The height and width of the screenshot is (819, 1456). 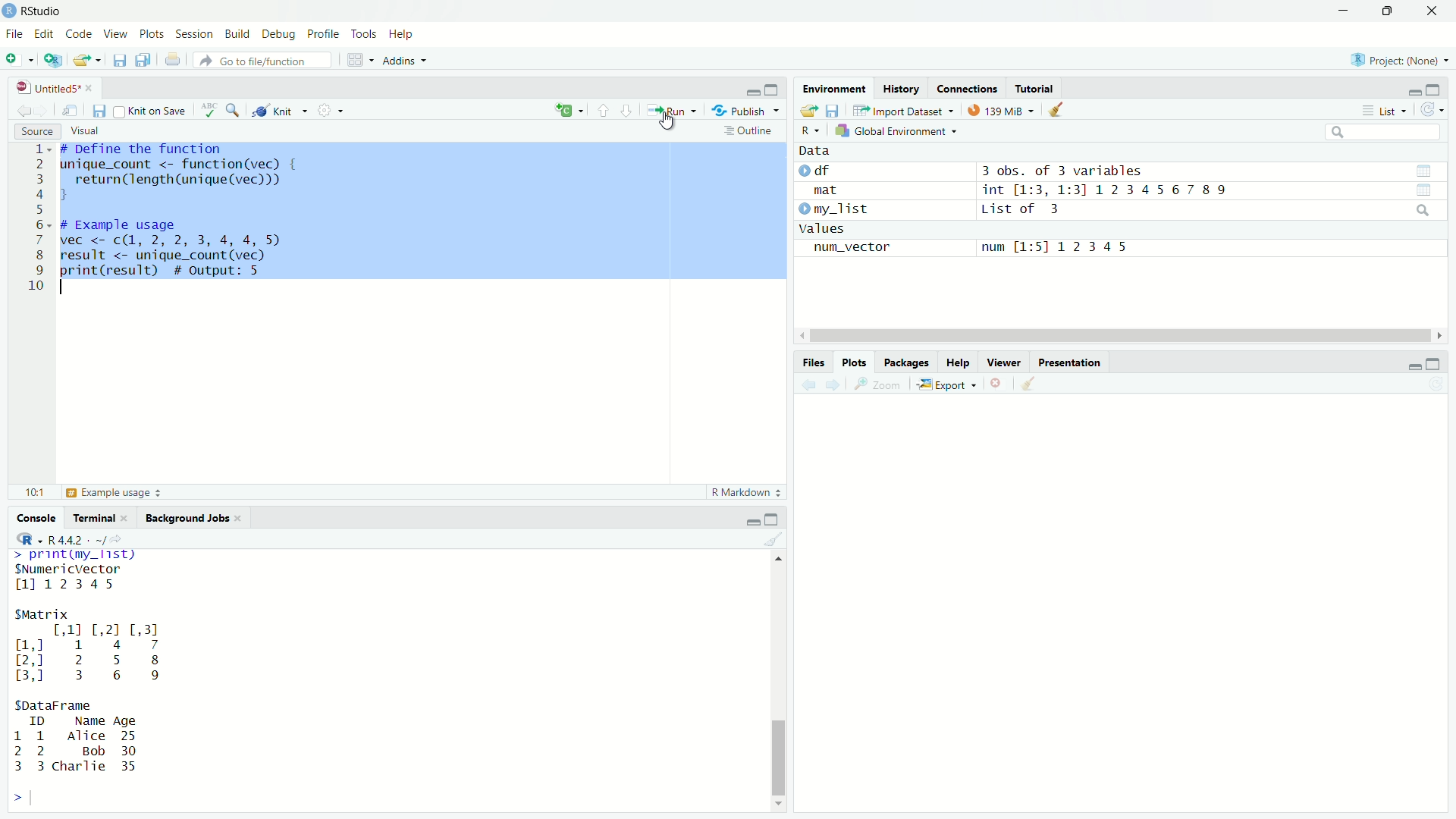 I want to click on minimize, so click(x=1414, y=93).